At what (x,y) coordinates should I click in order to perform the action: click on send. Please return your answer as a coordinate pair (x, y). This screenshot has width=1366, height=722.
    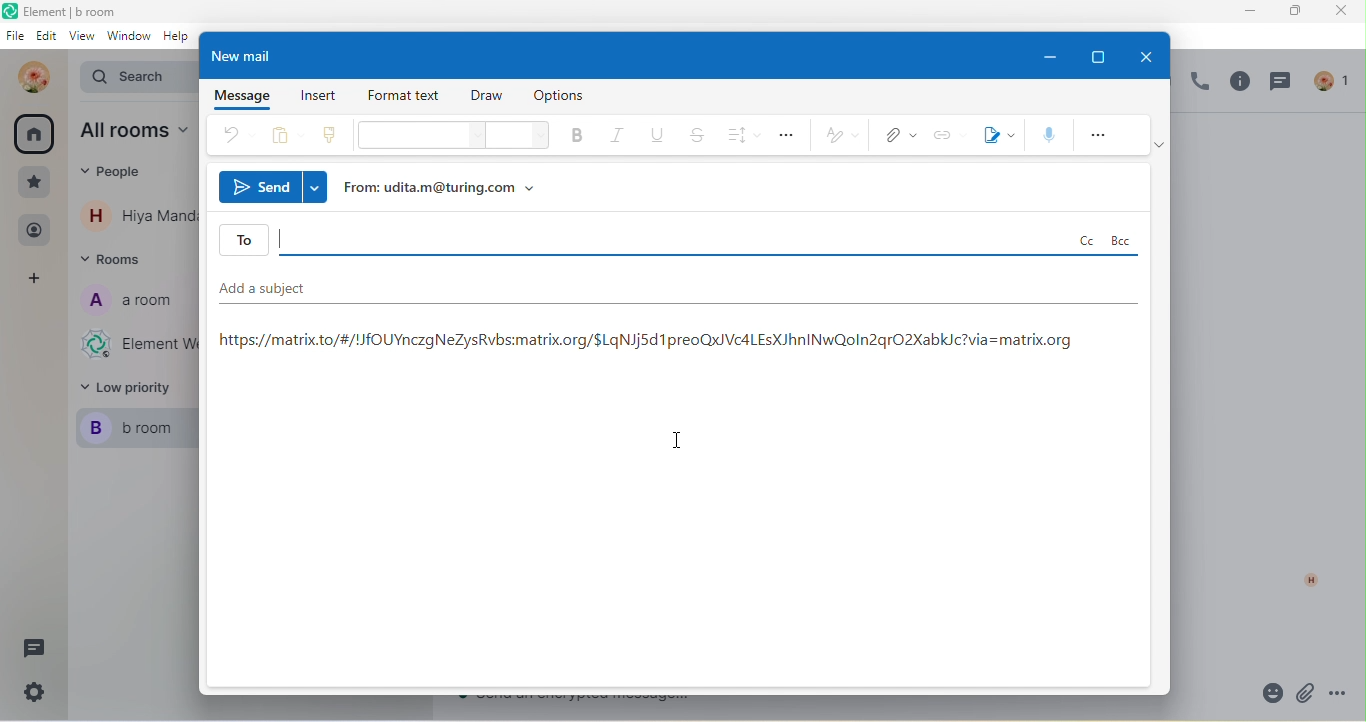
    Looking at the image, I should click on (275, 184).